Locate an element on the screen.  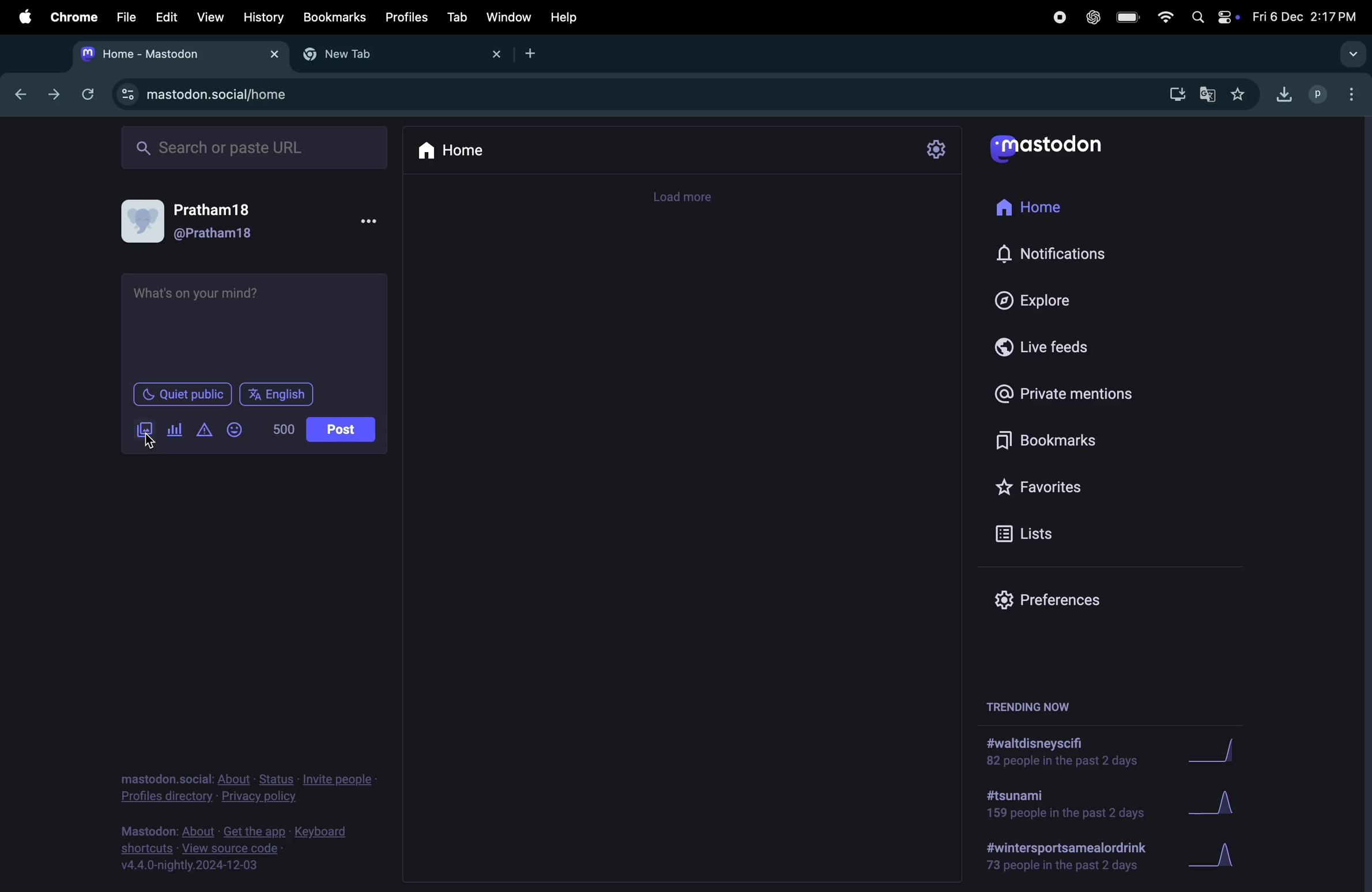
private mentions is located at coordinates (1077, 395).